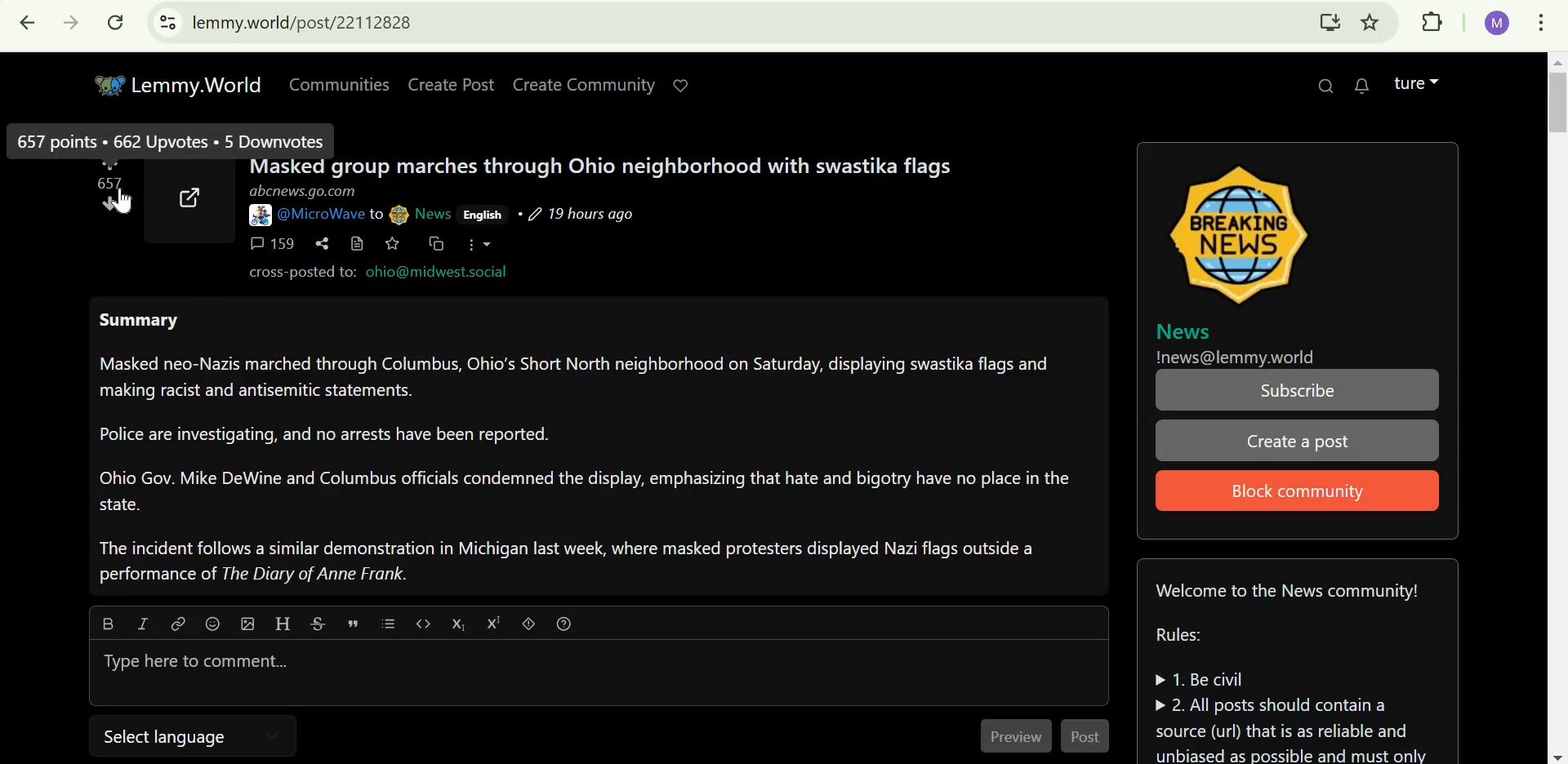  Describe the element at coordinates (303, 192) in the screenshot. I see `abcnews.go.com` at that location.